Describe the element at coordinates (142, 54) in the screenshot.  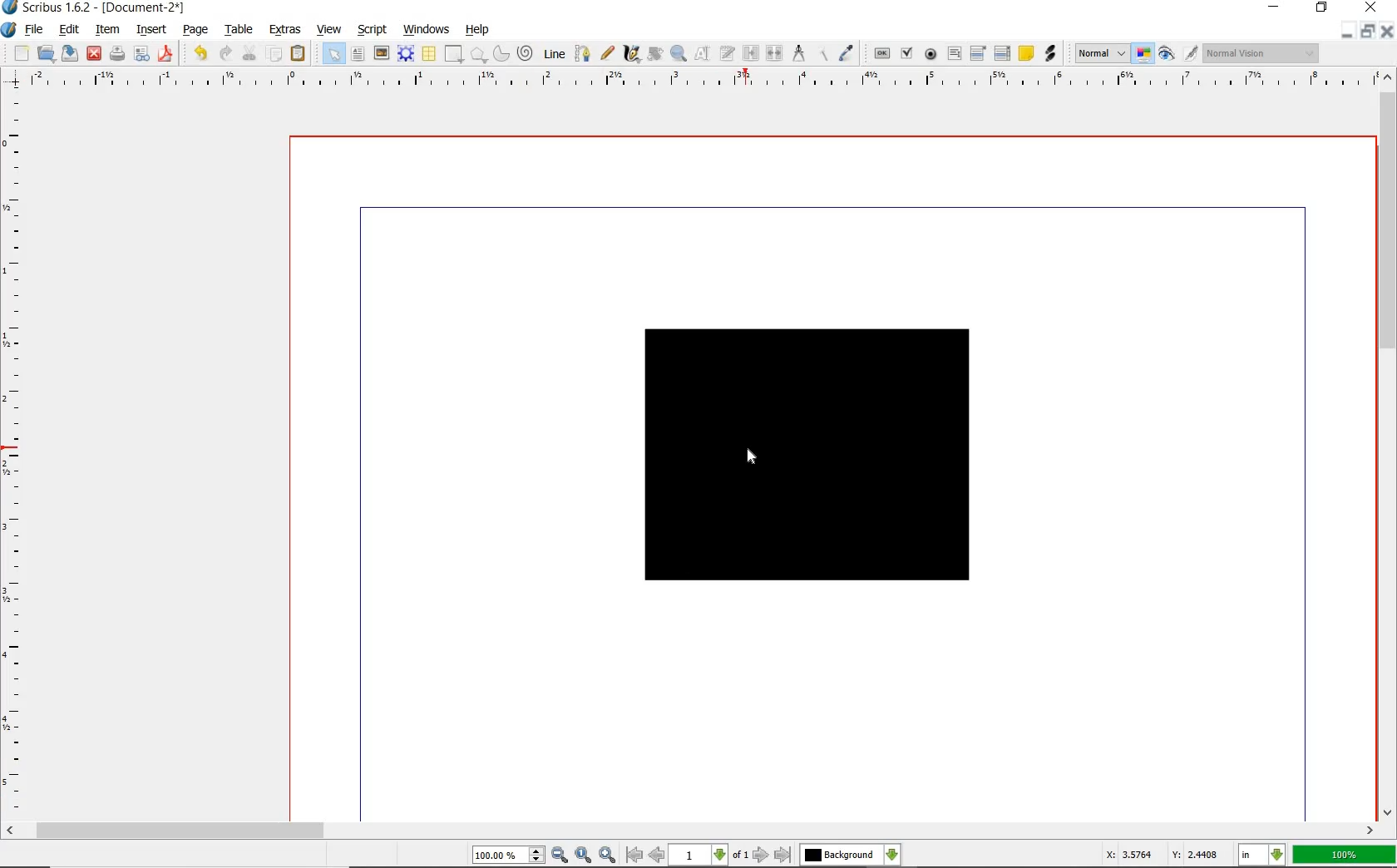
I see `preflight verifier` at that location.